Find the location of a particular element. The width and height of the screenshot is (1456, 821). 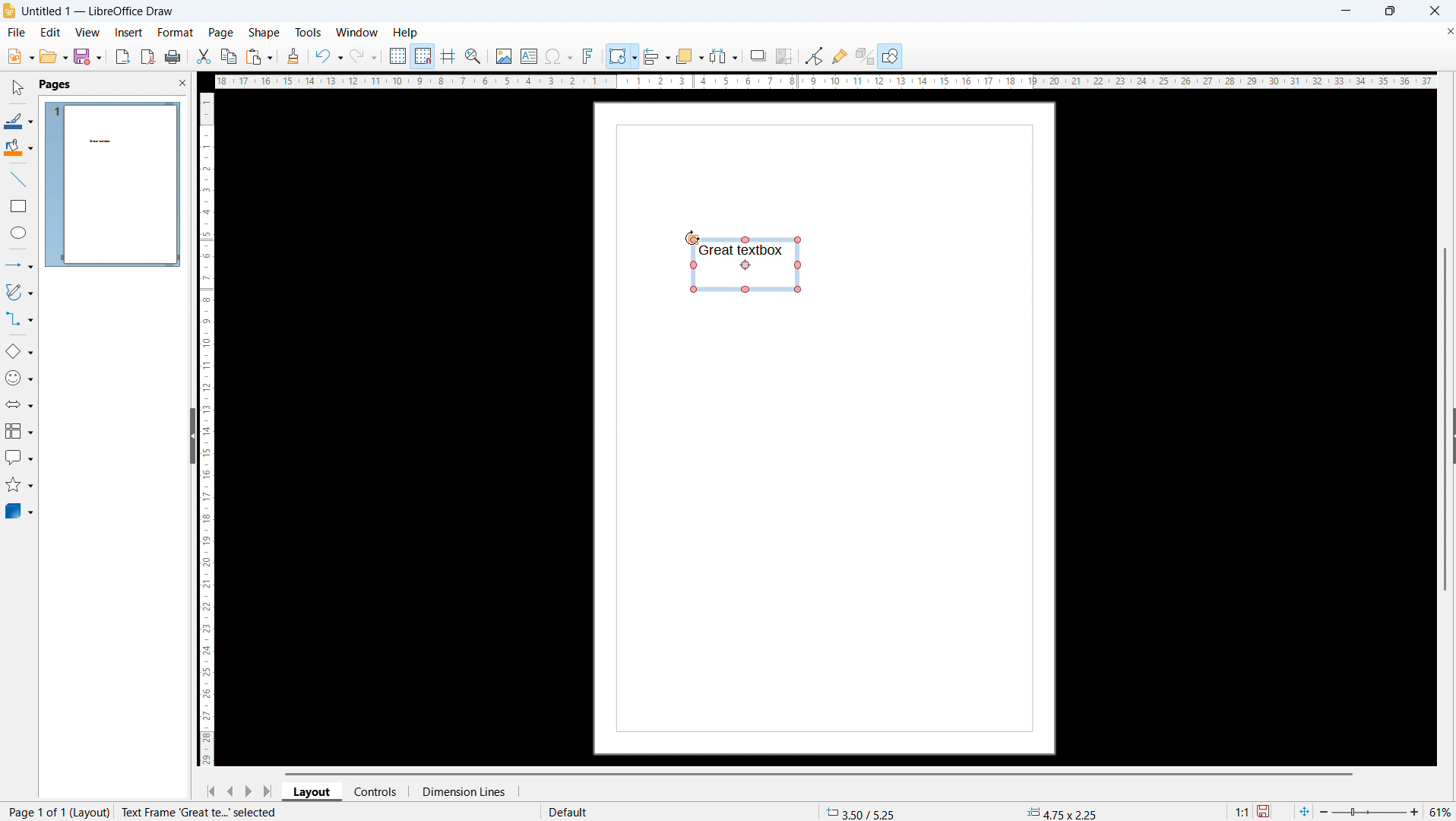

insert symbols is located at coordinates (559, 56).